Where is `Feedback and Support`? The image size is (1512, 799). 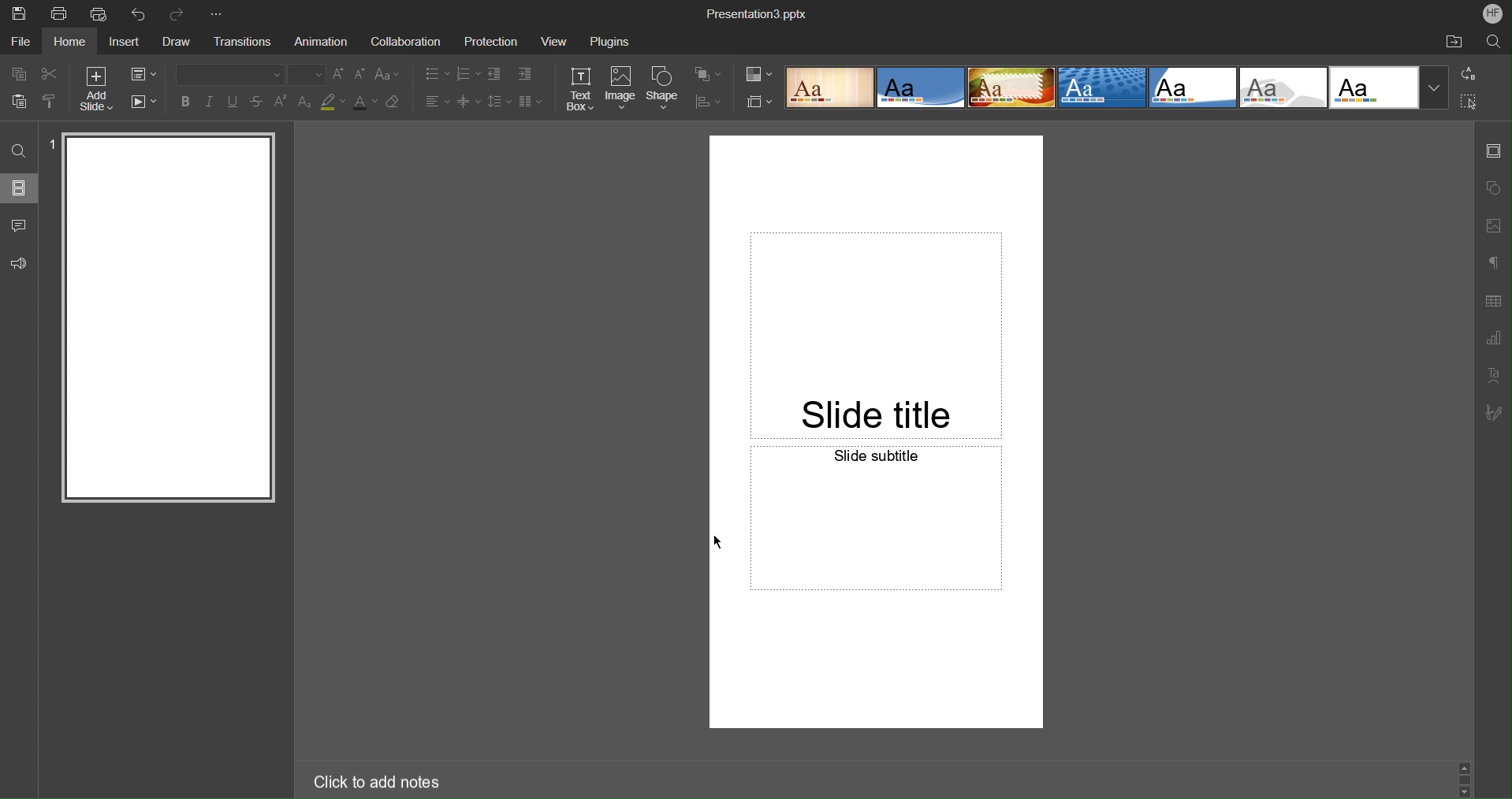
Feedback and Support is located at coordinates (19, 263).